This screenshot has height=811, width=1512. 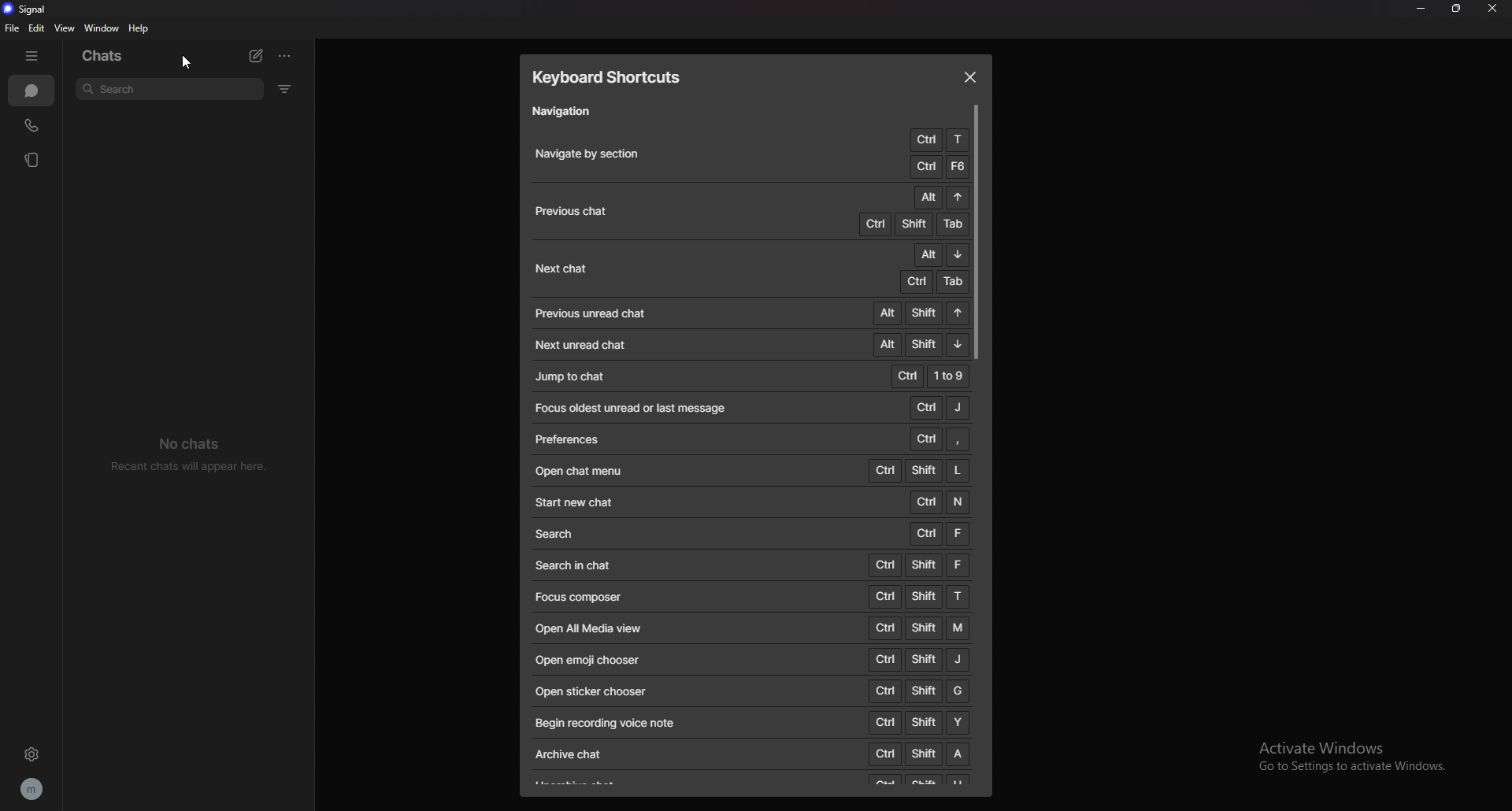 I want to click on Go to Settings to activate Windows., so click(x=1345, y=768).